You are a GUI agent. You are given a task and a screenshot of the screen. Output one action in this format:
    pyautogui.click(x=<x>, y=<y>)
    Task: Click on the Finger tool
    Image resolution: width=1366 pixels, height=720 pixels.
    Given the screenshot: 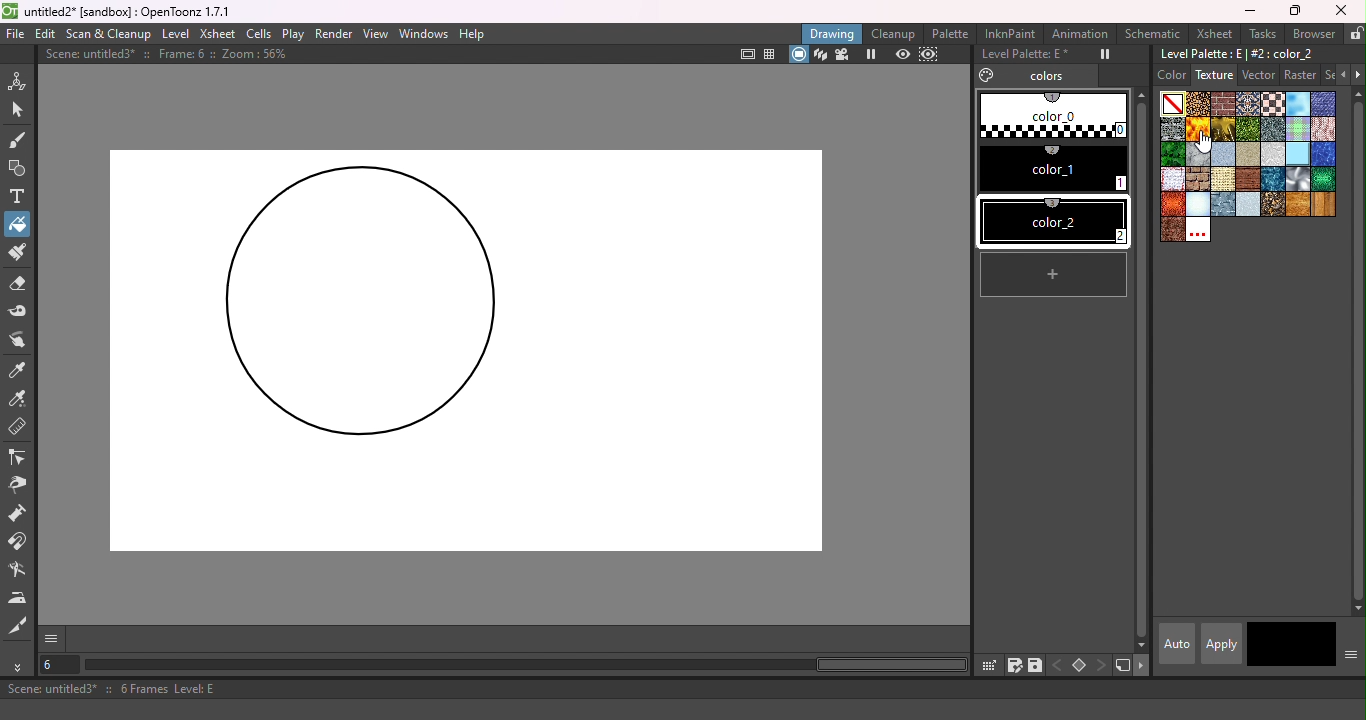 What is the action you would take?
    pyautogui.click(x=21, y=339)
    